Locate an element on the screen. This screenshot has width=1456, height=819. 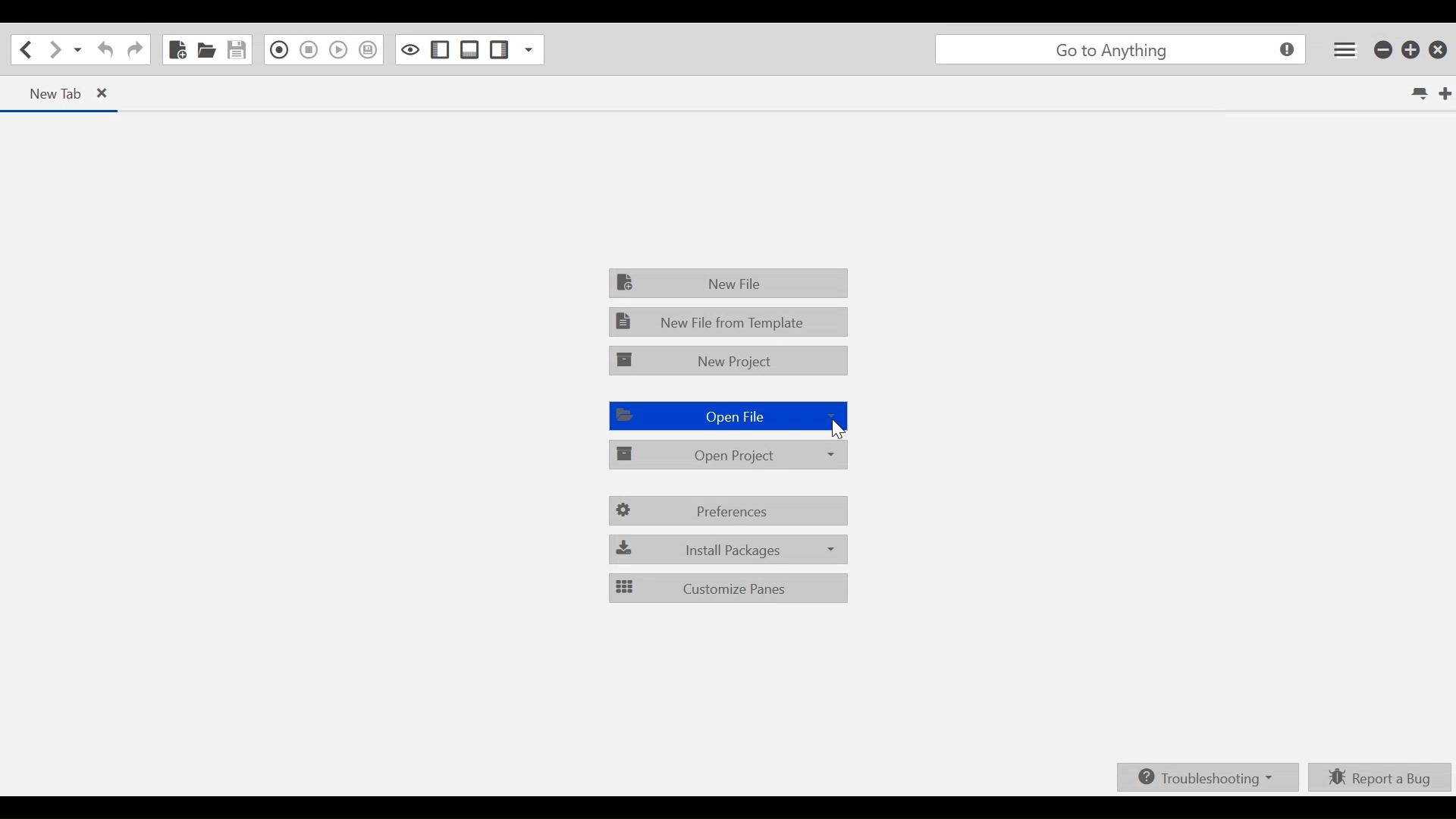
Preferences is located at coordinates (730, 511).